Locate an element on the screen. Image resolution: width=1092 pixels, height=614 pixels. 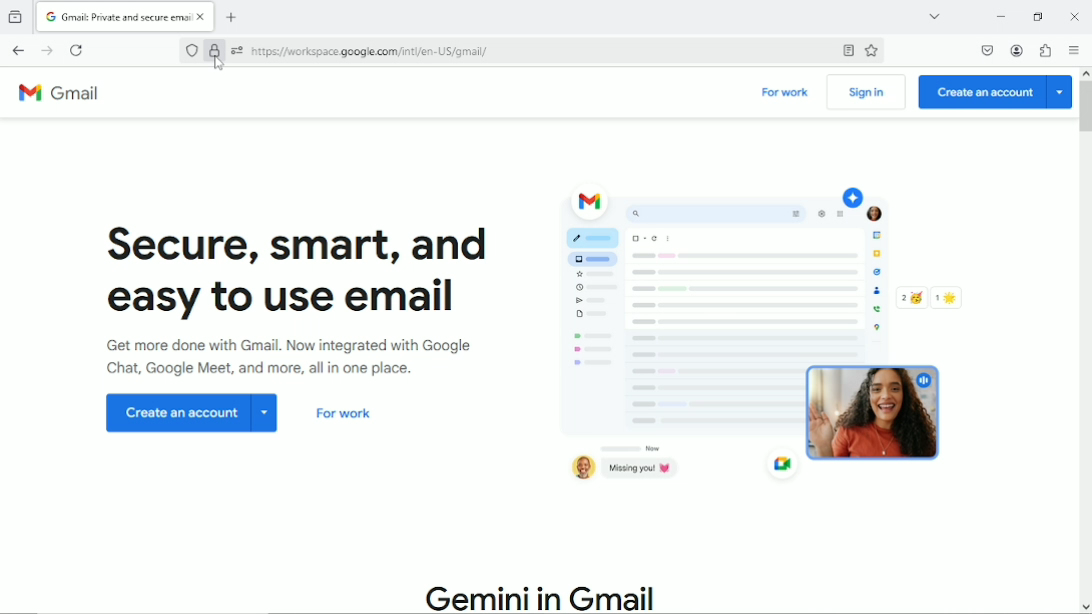
Gemini in Gmail is located at coordinates (543, 597).